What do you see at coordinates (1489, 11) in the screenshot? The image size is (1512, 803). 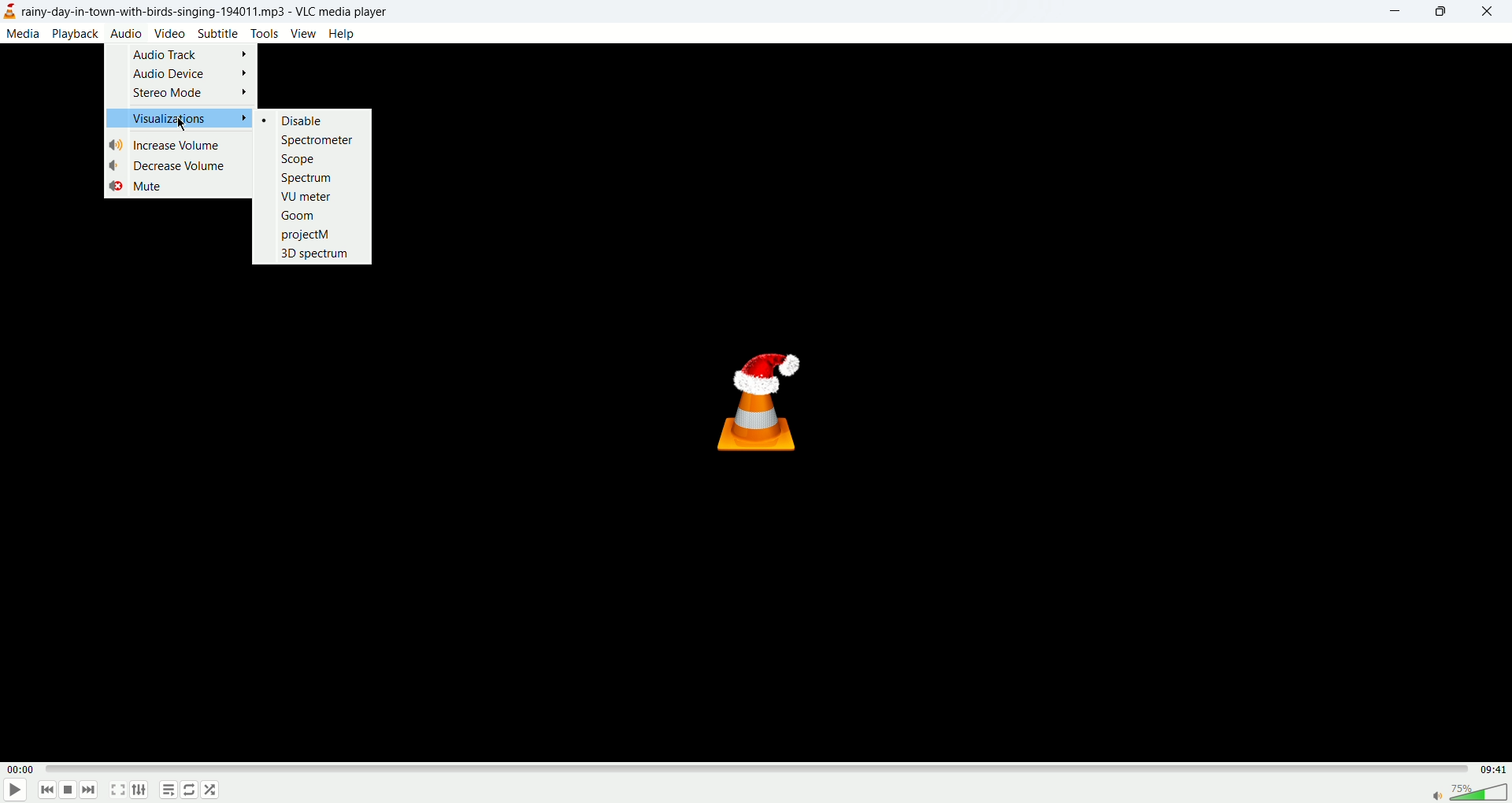 I see `close` at bounding box center [1489, 11].